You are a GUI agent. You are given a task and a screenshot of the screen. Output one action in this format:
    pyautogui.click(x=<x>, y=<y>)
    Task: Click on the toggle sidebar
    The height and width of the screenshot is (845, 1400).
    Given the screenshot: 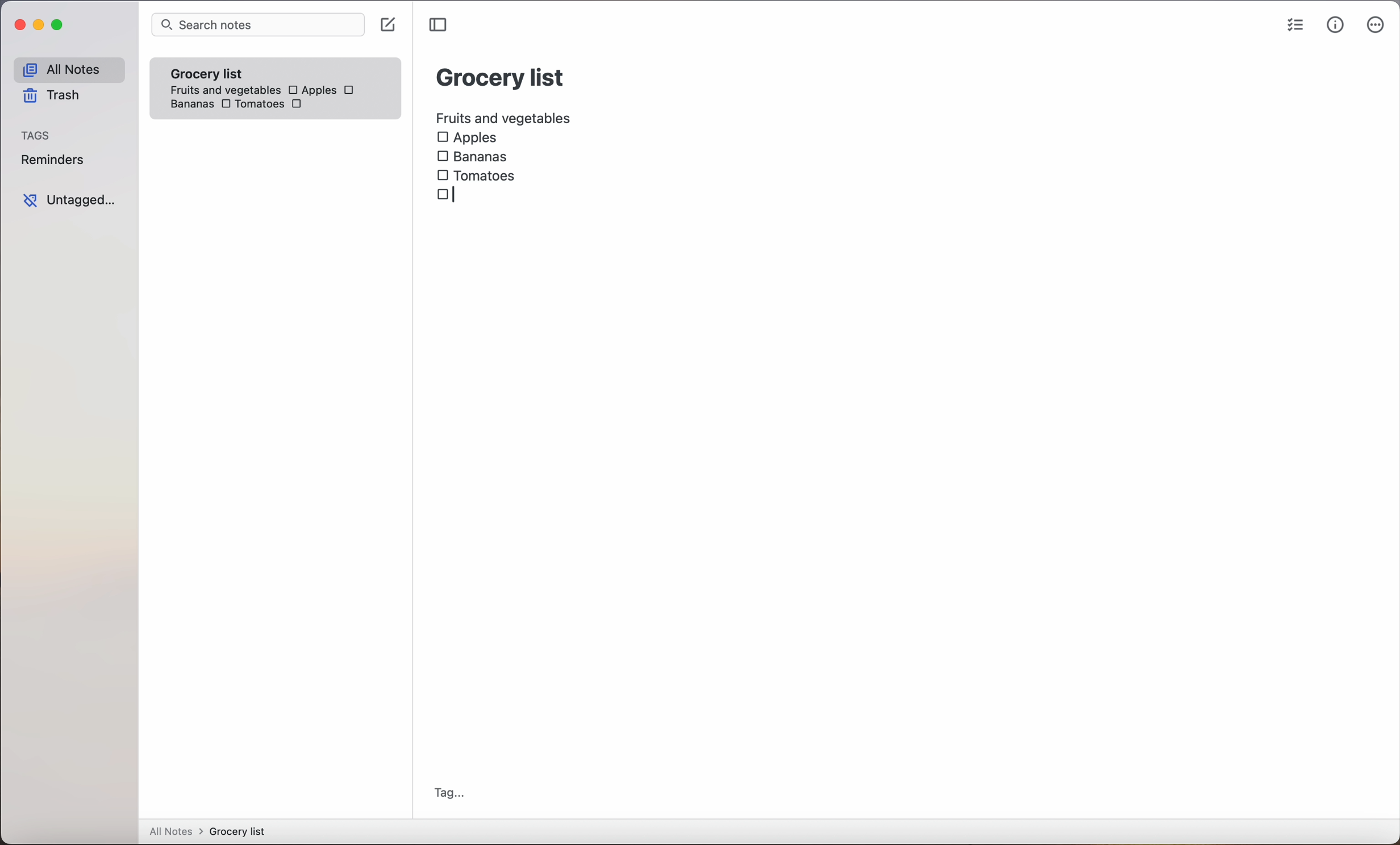 What is the action you would take?
    pyautogui.click(x=440, y=25)
    